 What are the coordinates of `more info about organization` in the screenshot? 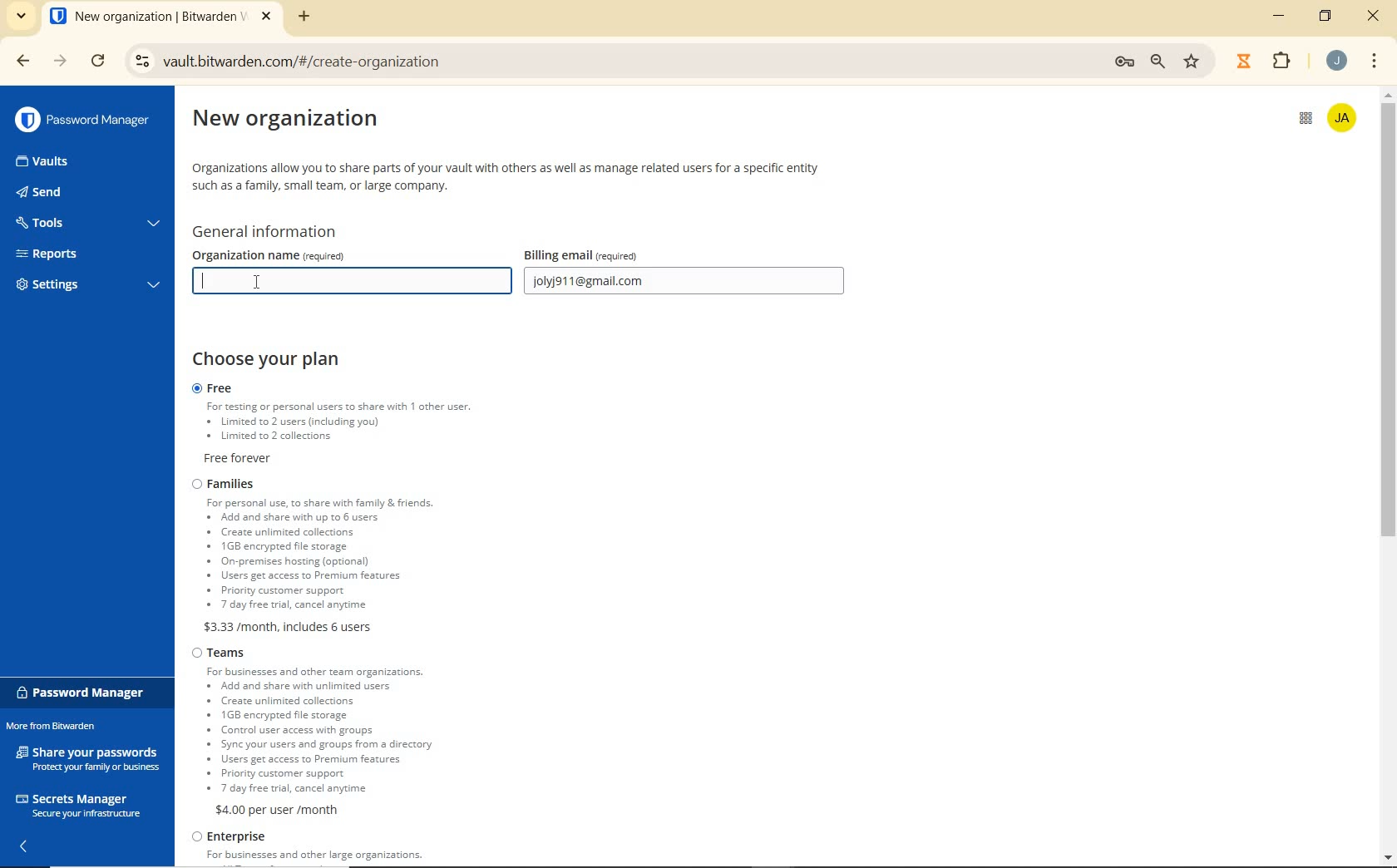 It's located at (509, 177).